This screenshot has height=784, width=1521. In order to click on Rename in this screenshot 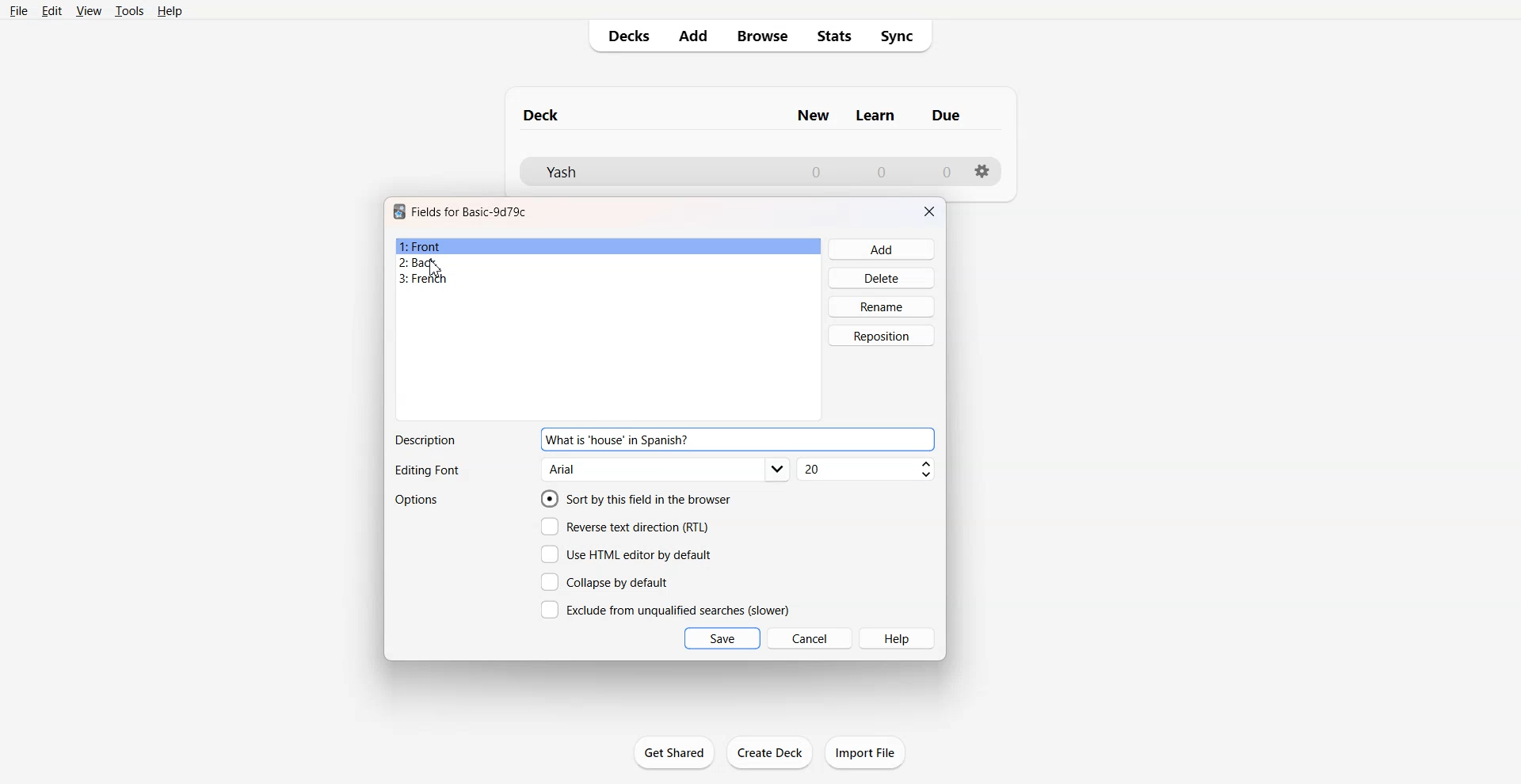, I will do `click(882, 306)`.